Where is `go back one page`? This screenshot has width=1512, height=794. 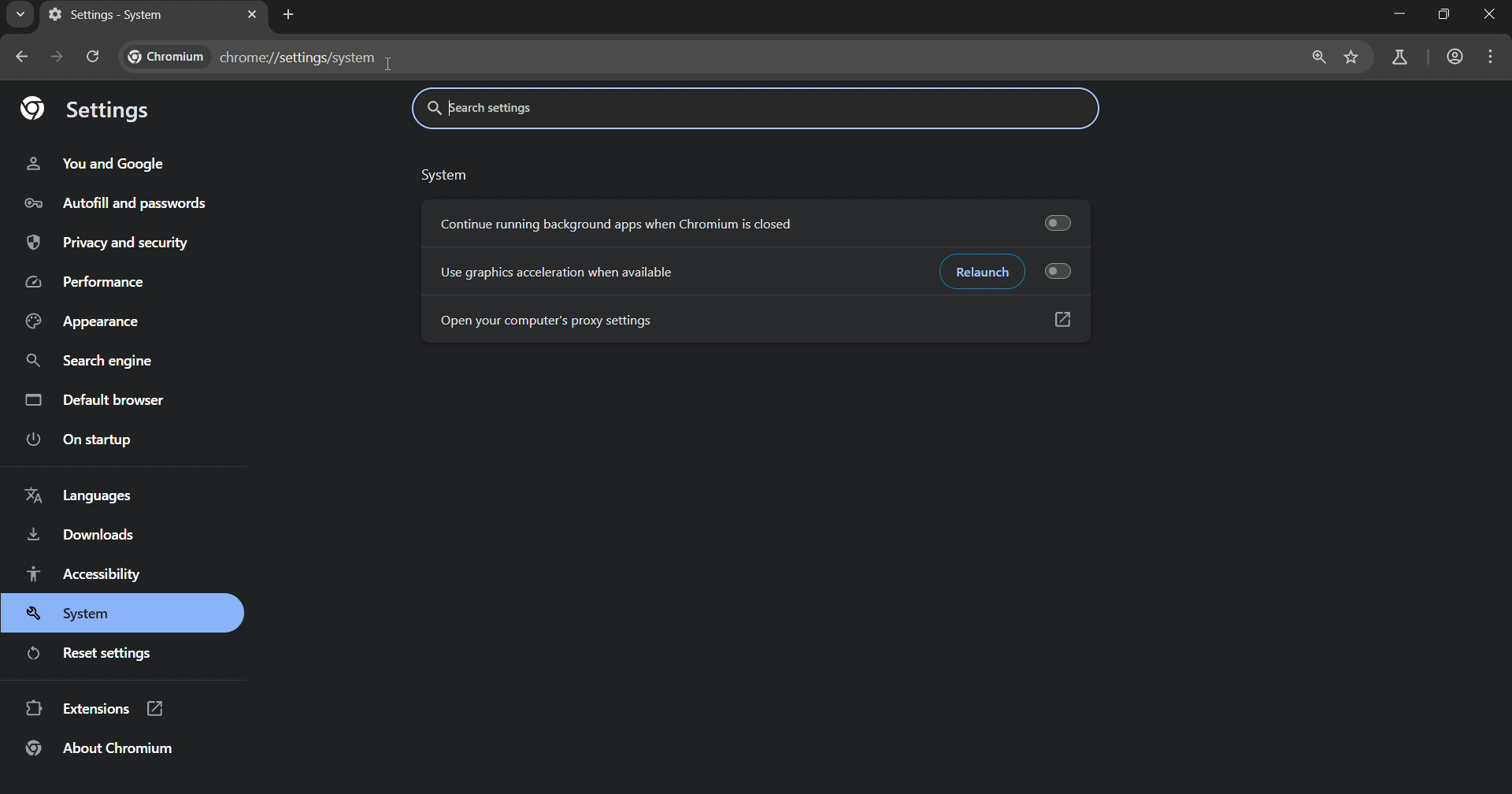 go back one page is located at coordinates (24, 58).